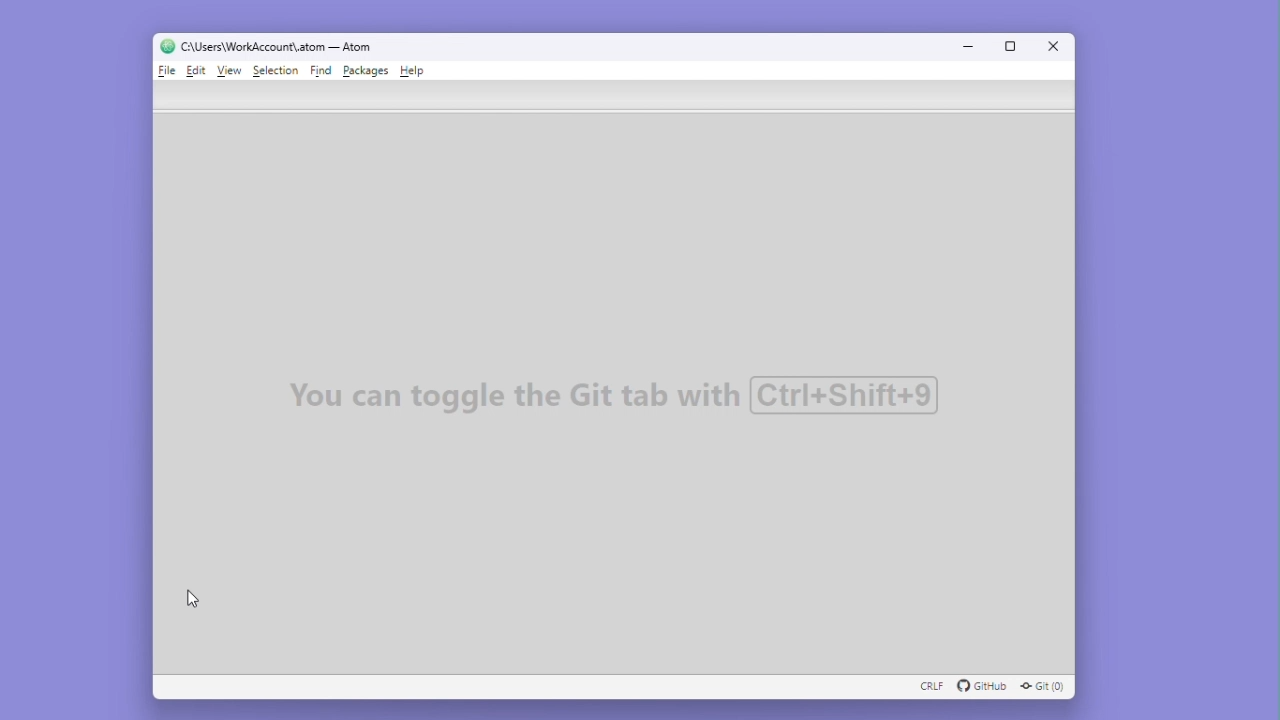 The image size is (1280, 720). I want to click on logo, so click(162, 45).